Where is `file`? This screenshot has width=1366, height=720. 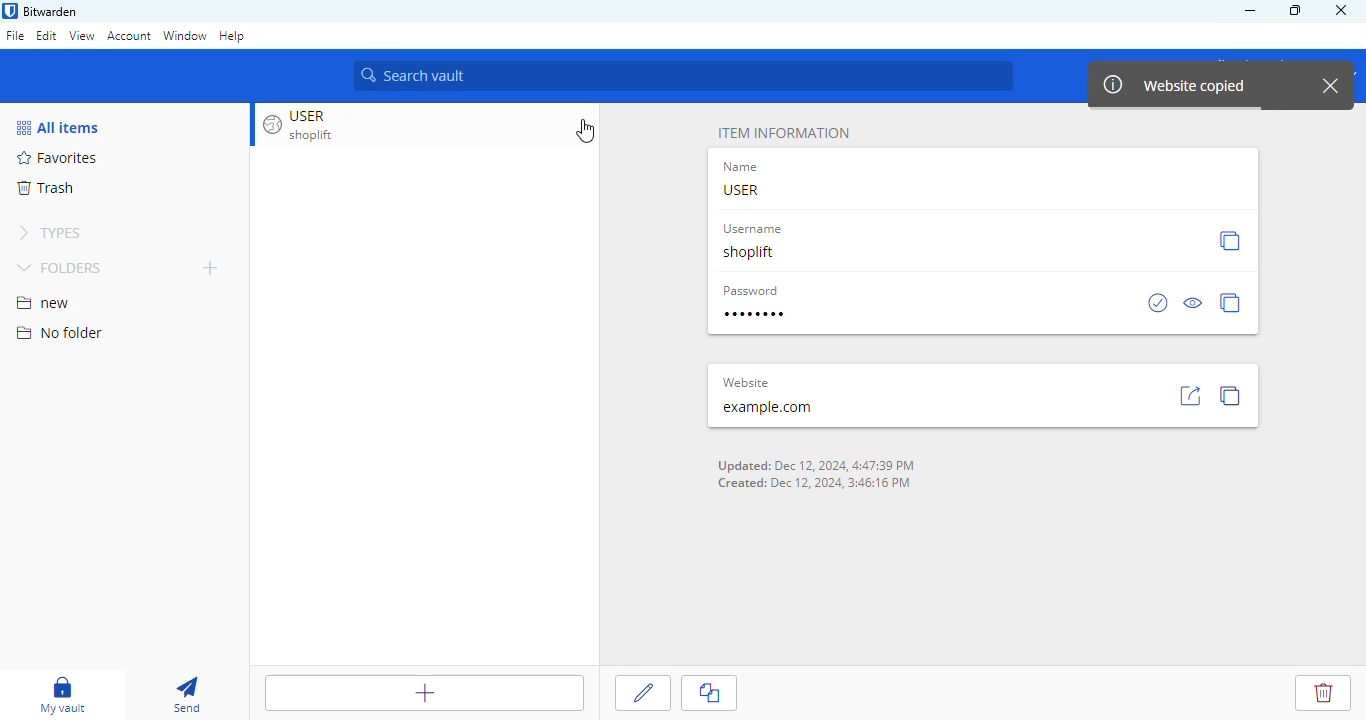
file is located at coordinates (15, 35).